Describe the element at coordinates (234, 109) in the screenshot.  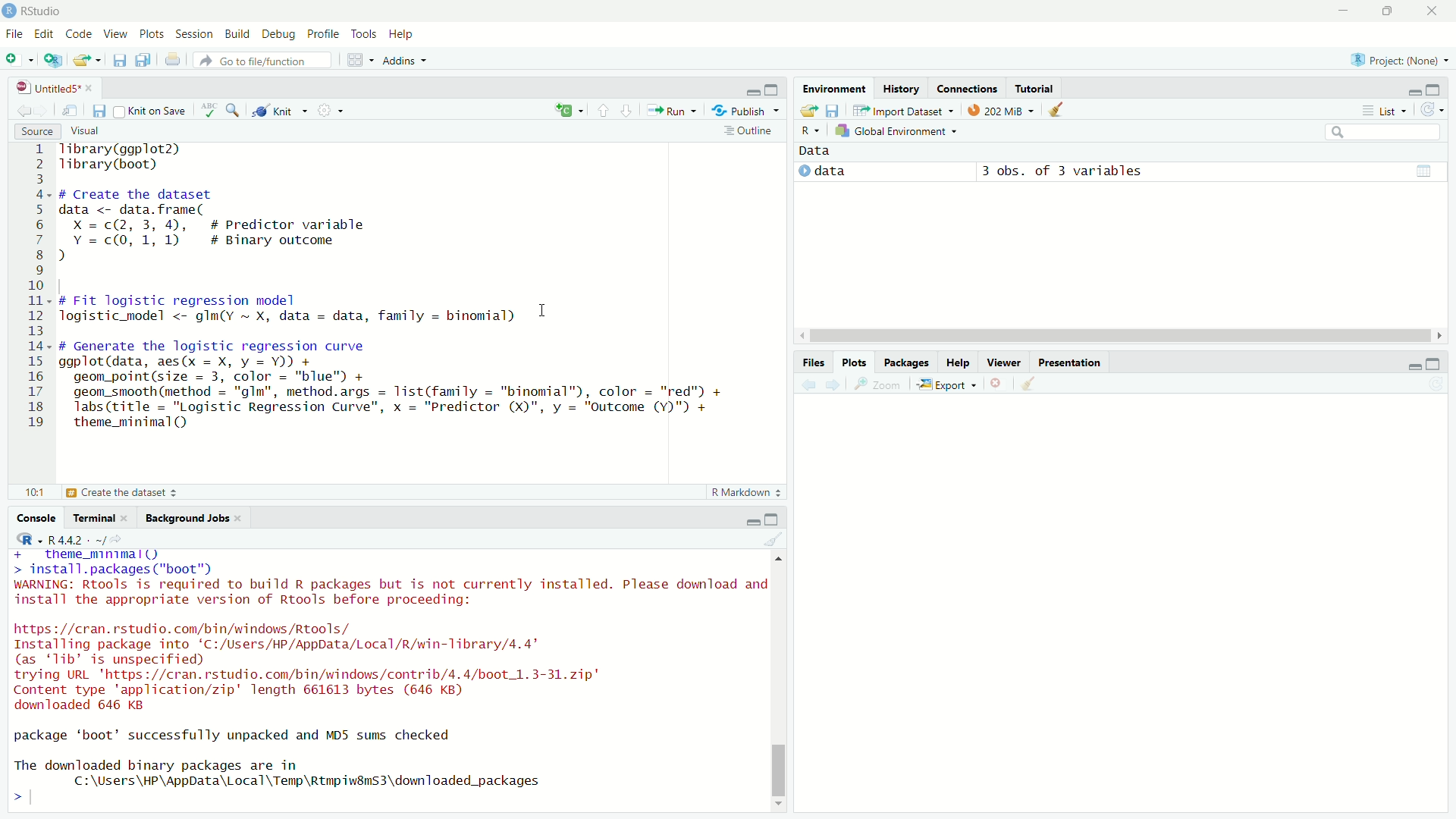
I see `Find/Replace` at that location.